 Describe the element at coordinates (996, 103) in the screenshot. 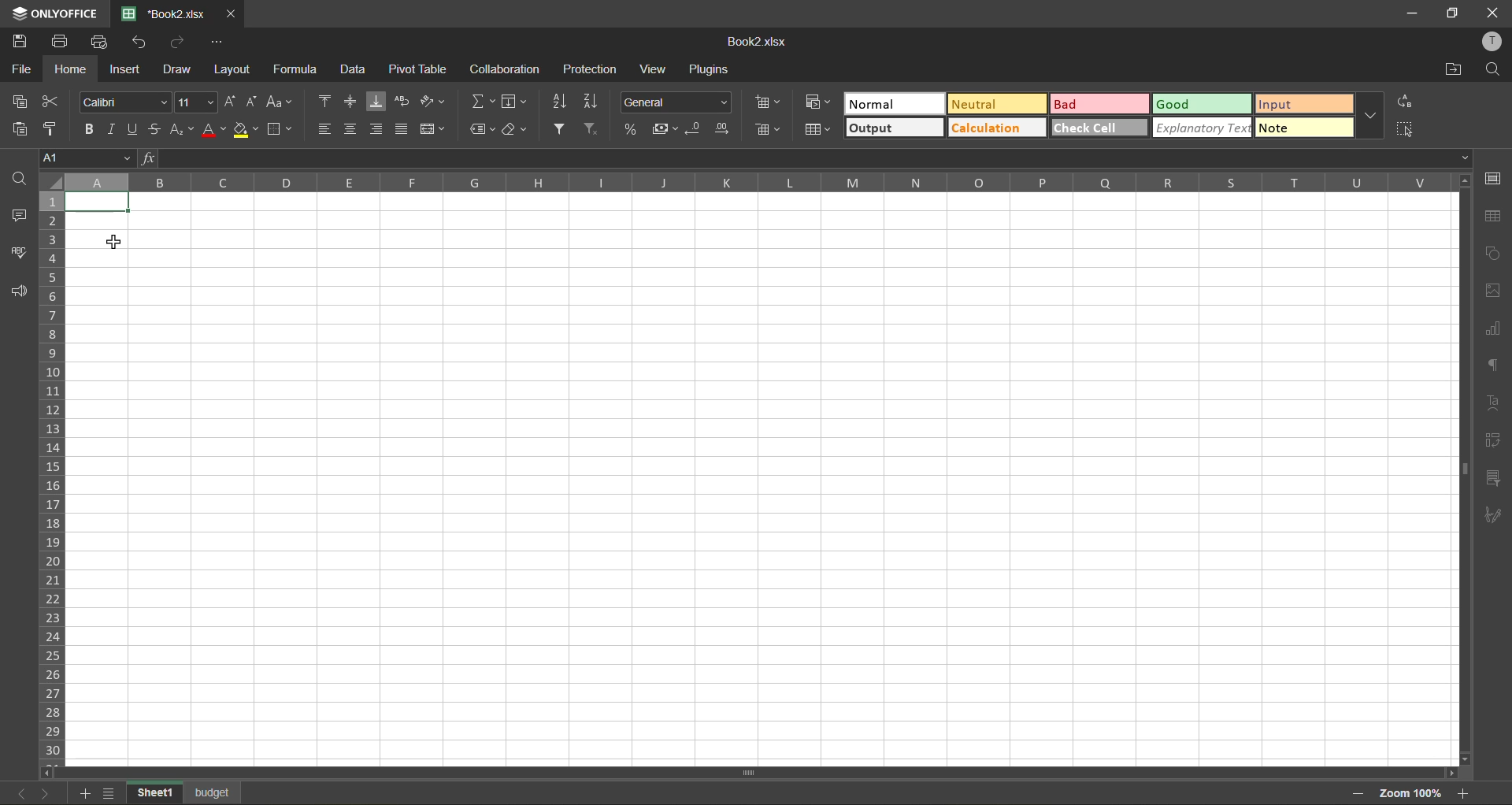

I see `neutral ` at that location.